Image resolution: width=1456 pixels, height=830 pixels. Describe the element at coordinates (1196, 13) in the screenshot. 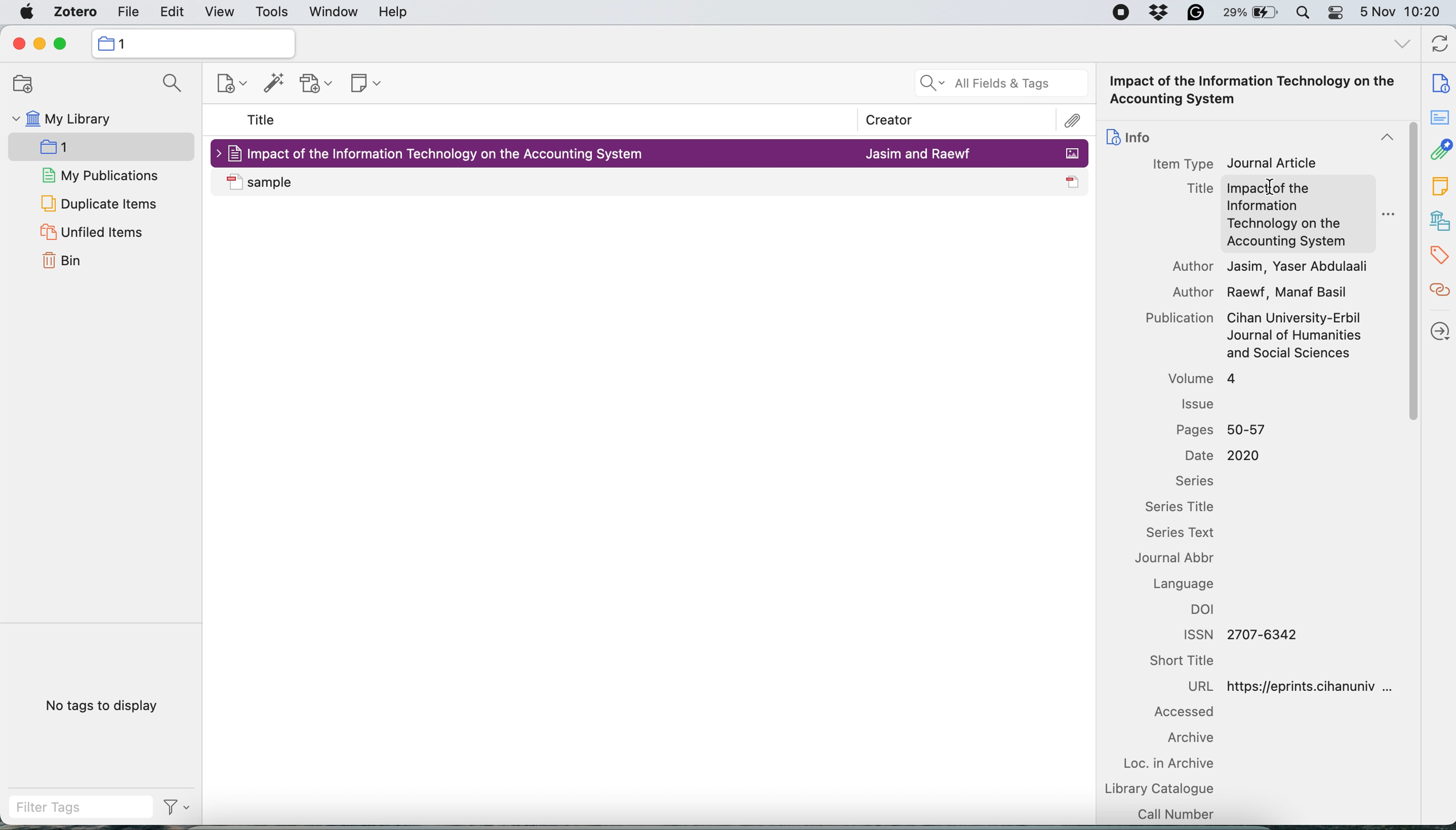

I see `grammarly` at that location.